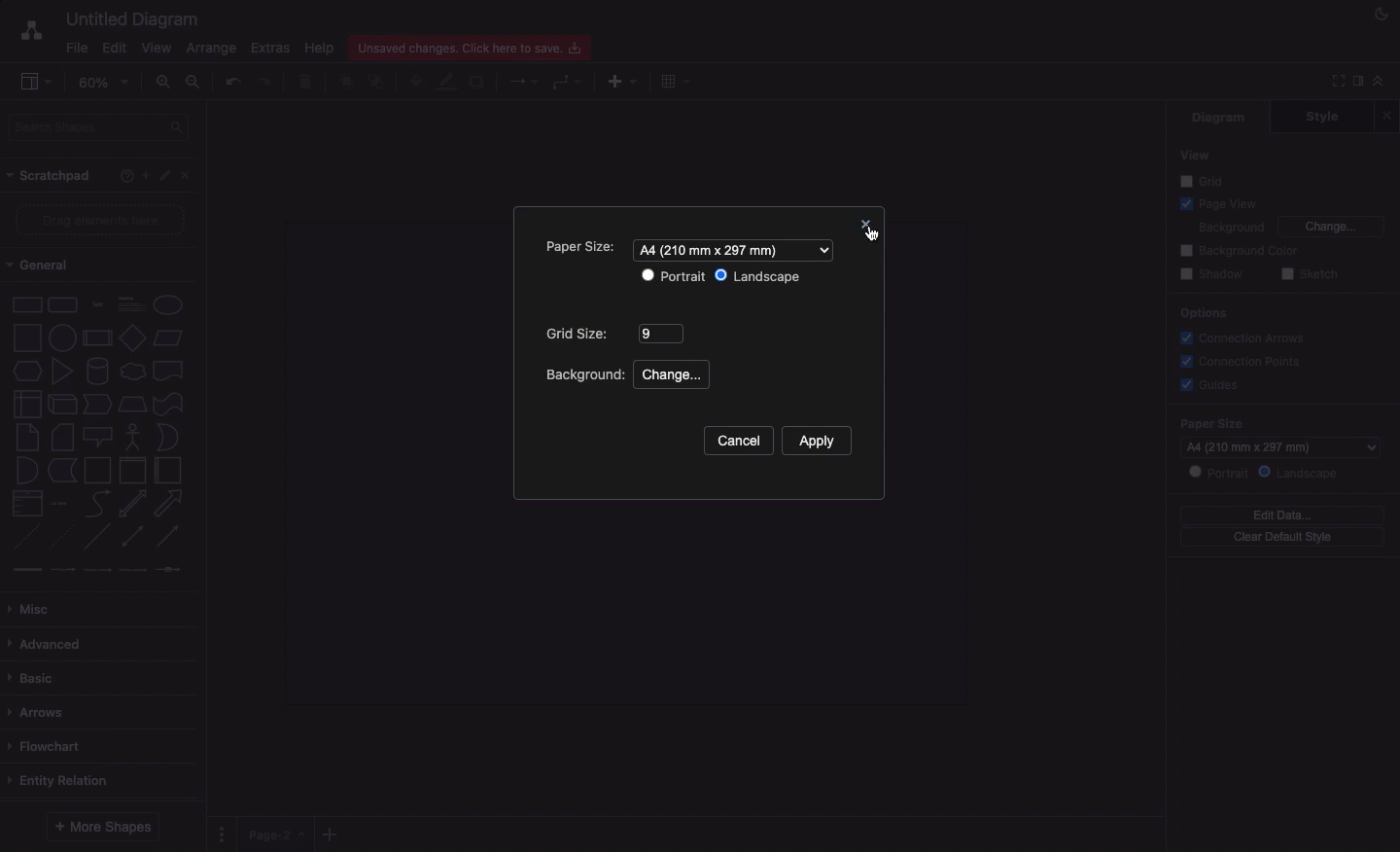  Describe the element at coordinates (678, 81) in the screenshot. I see `Table` at that location.